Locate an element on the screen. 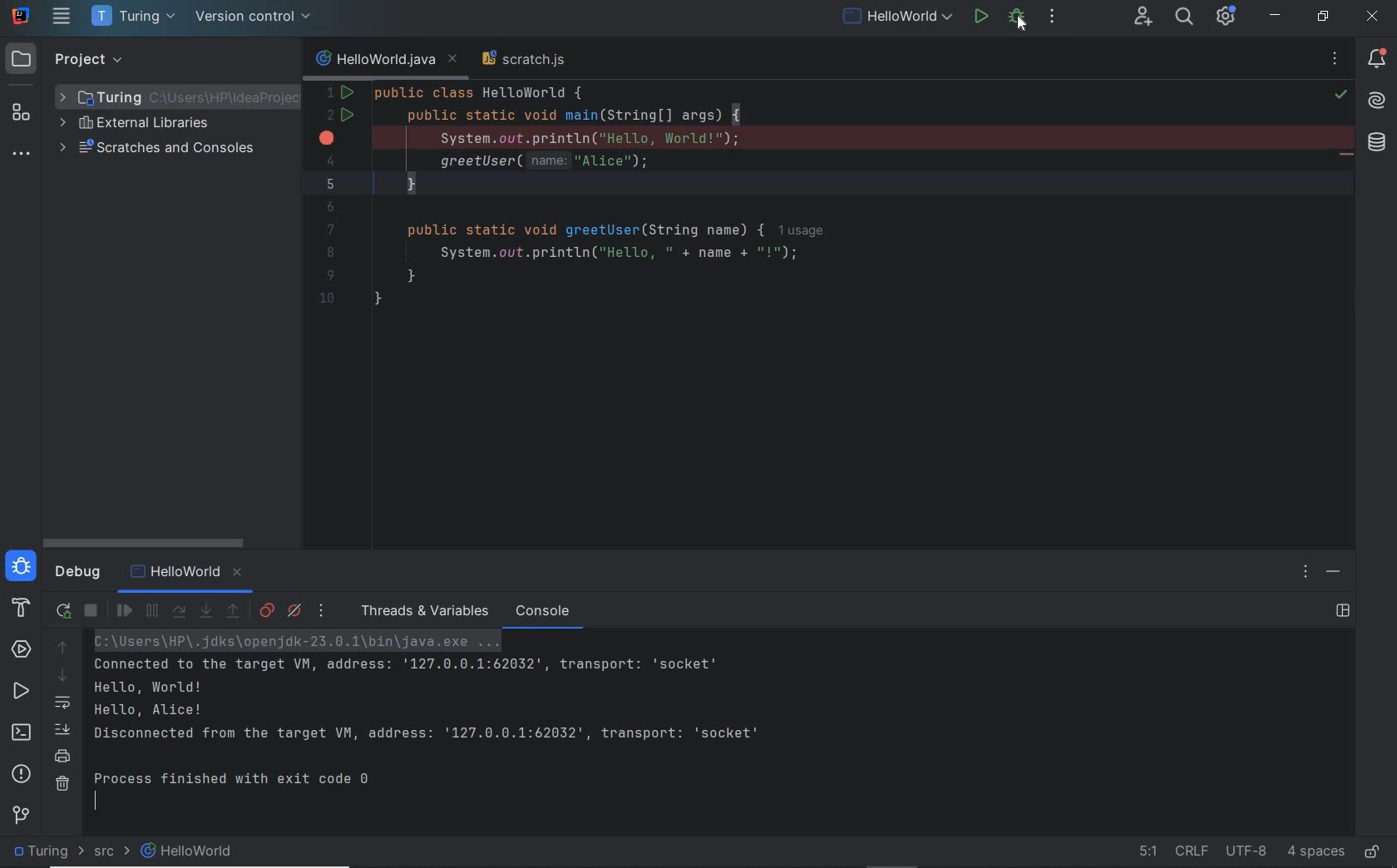  current file name is located at coordinates (385, 60).